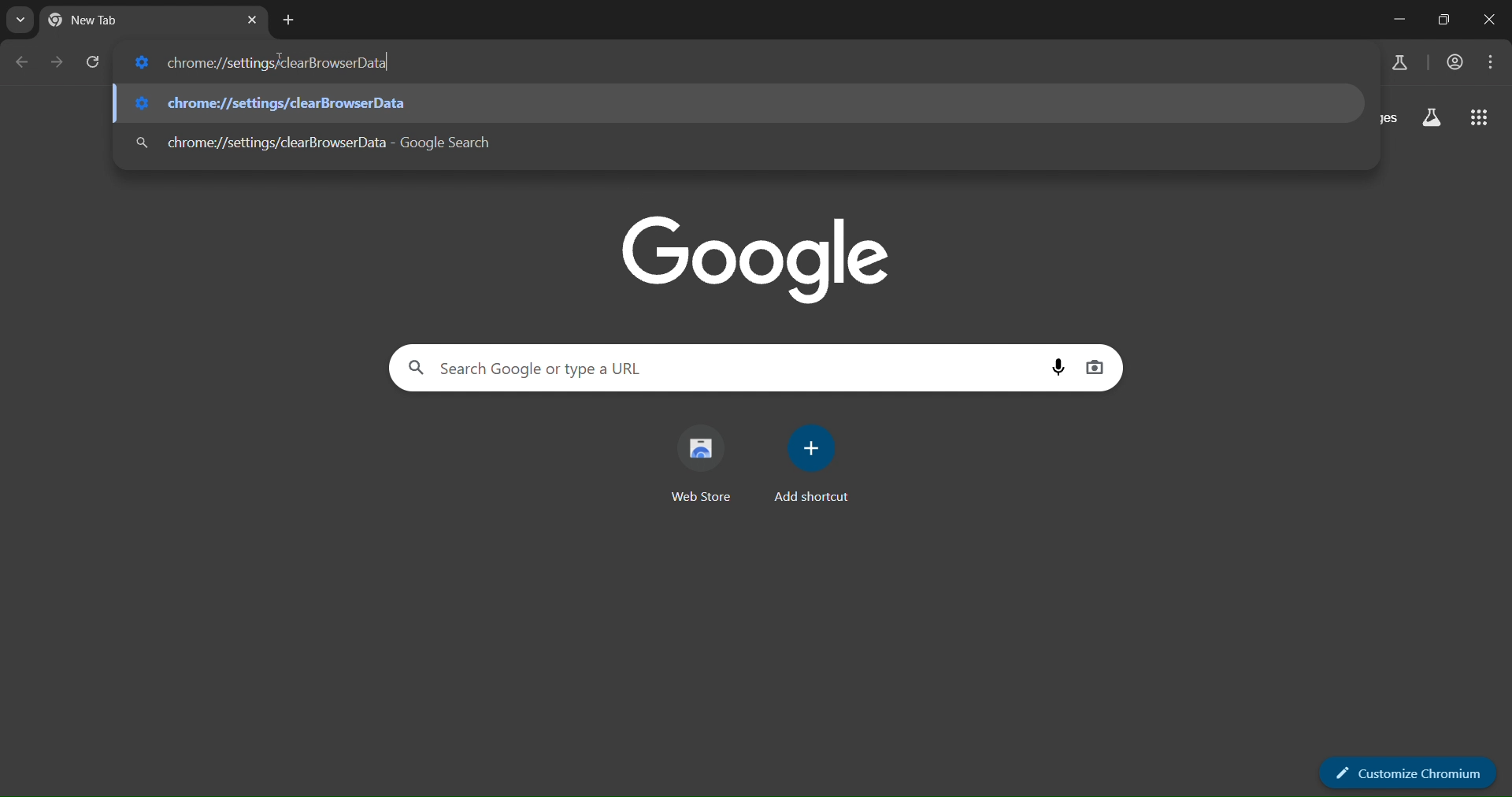  What do you see at coordinates (22, 65) in the screenshot?
I see `go back one page` at bounding box center [22, 65].